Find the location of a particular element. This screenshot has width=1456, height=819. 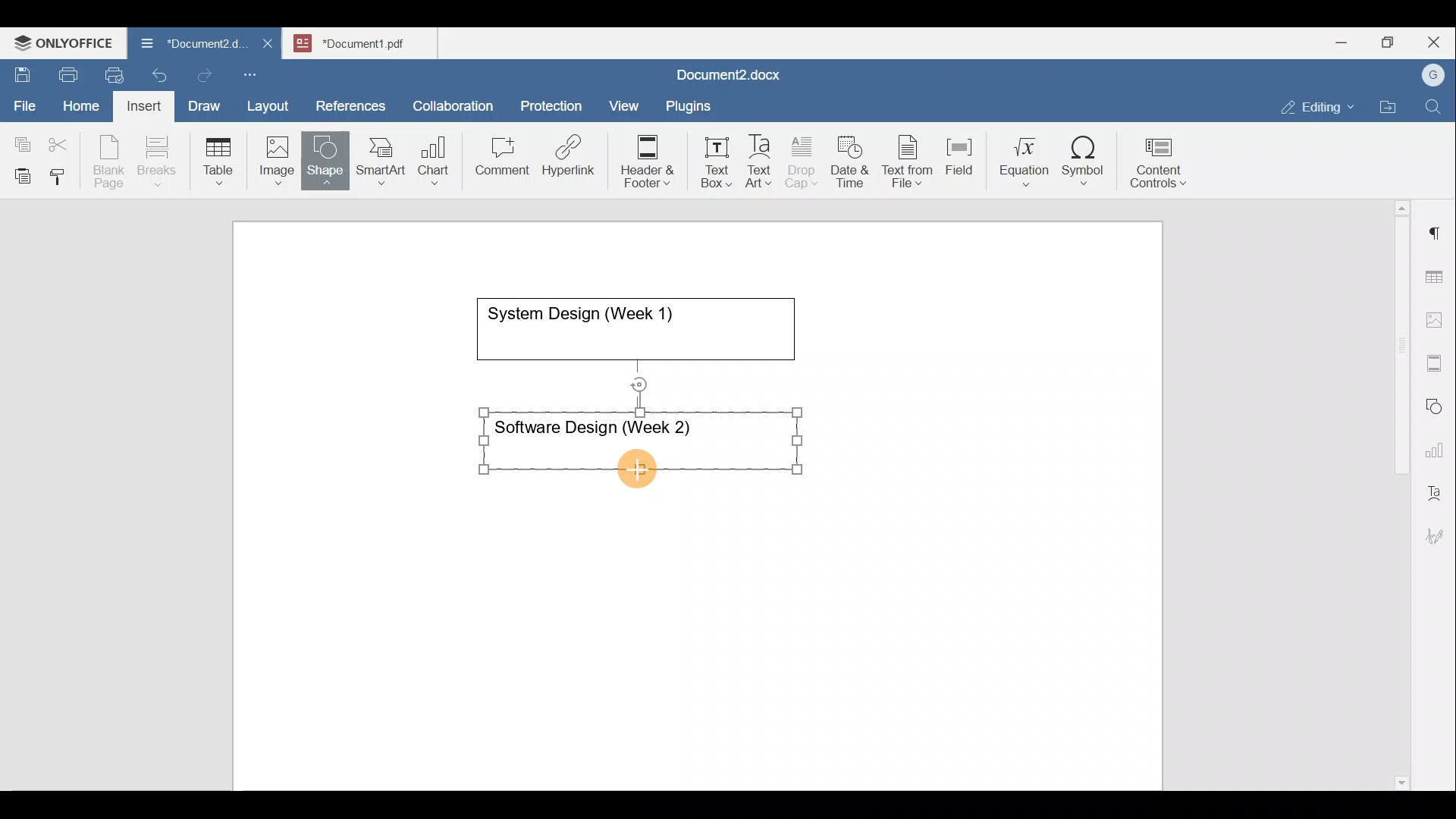

Field is located at coordinates (959, 154).